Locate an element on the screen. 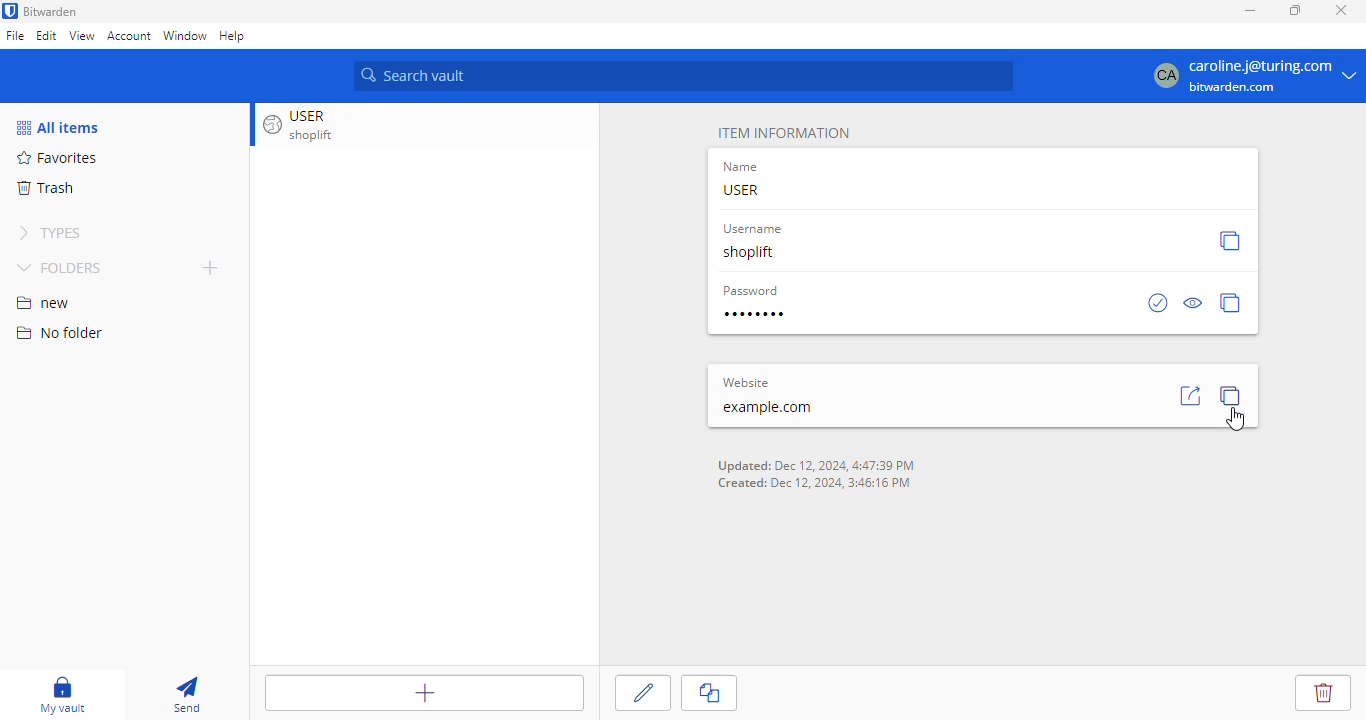 The height and width of the screenshot is (720, 1366). send is located at coordinates (187, 694).